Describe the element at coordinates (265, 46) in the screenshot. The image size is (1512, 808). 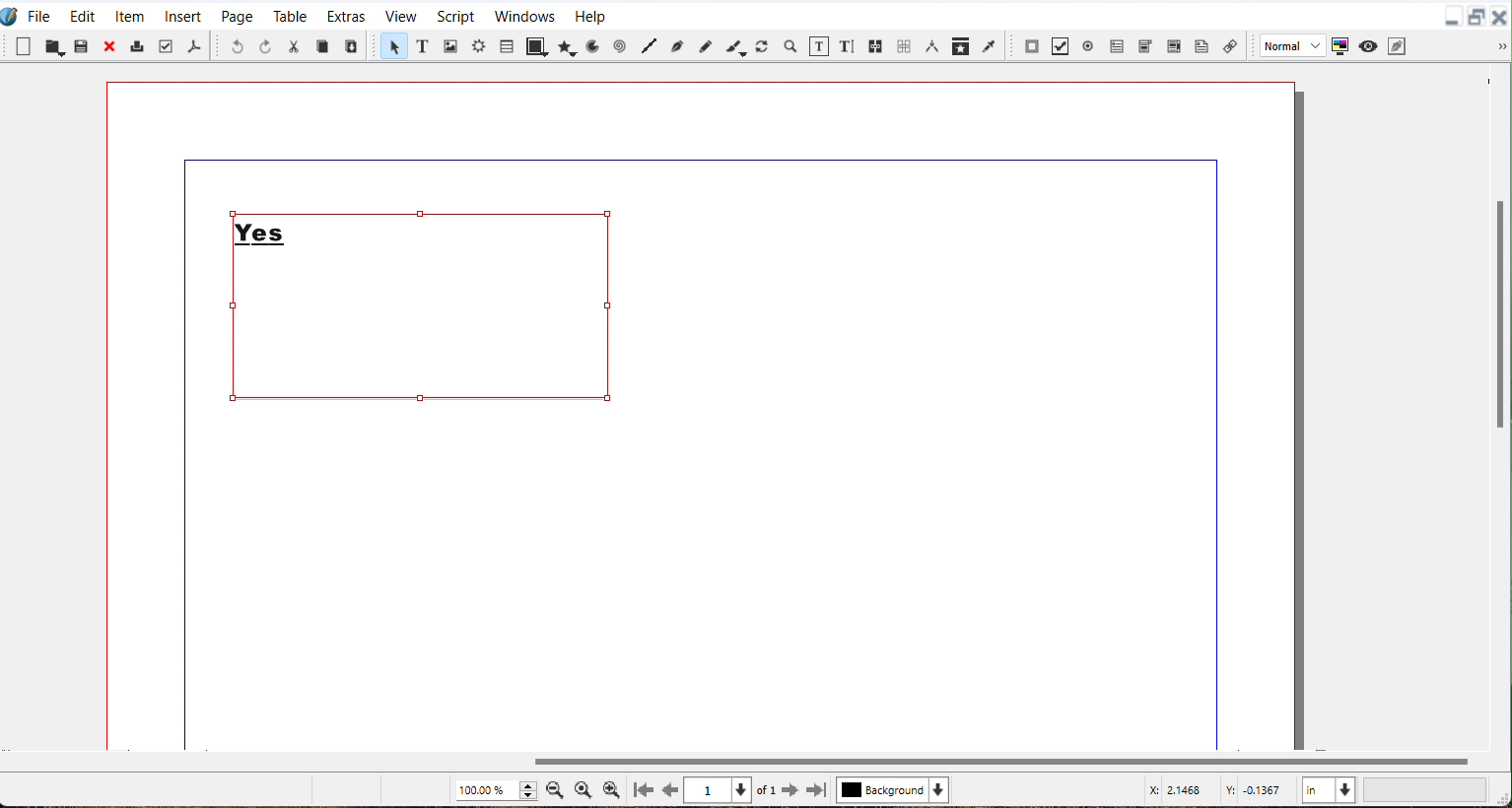
I see `Redo` at that location.